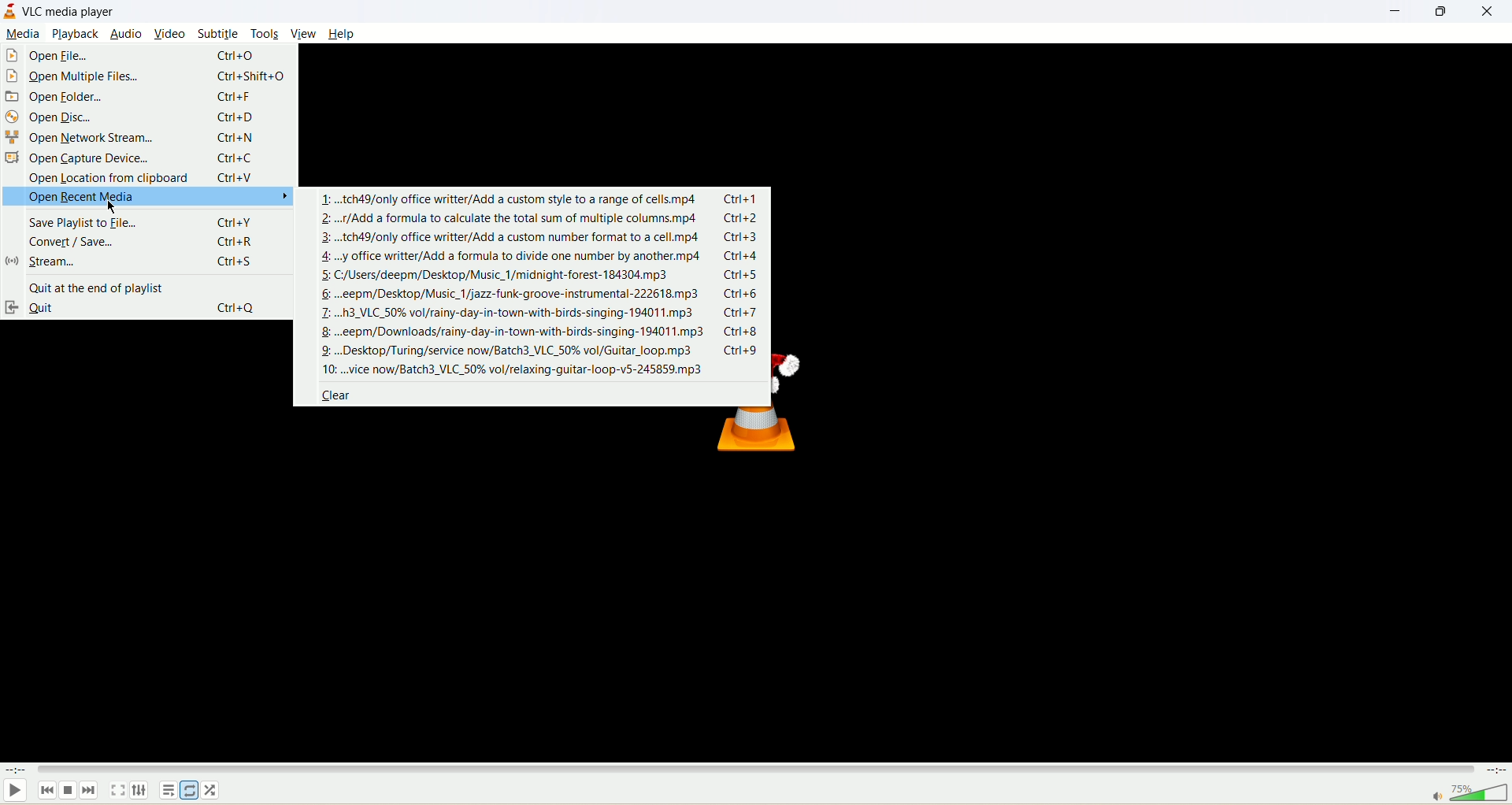 The width and height of the screenshot is (1512, 805). Describe the element at coordinates (768, 440) in the screenshot. I see `VLC MEDIA PLAYER LOGO` at that location.